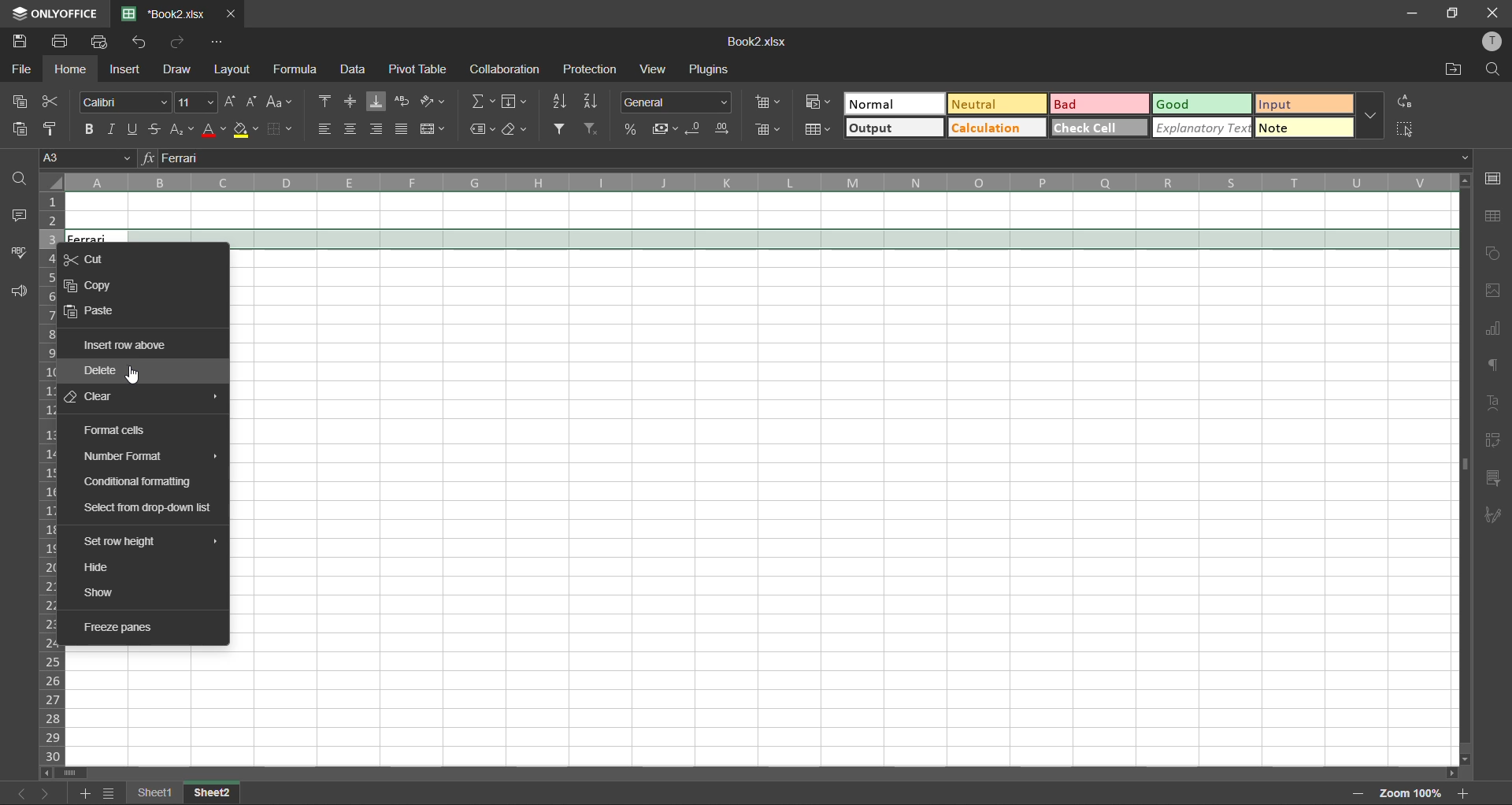 Image resolution: width=1512 pixels, height=805 pixels. What do you see at coordinates (1497, 256) in the screenshot?
I see `shapes` at bounding box center [1497, 256].